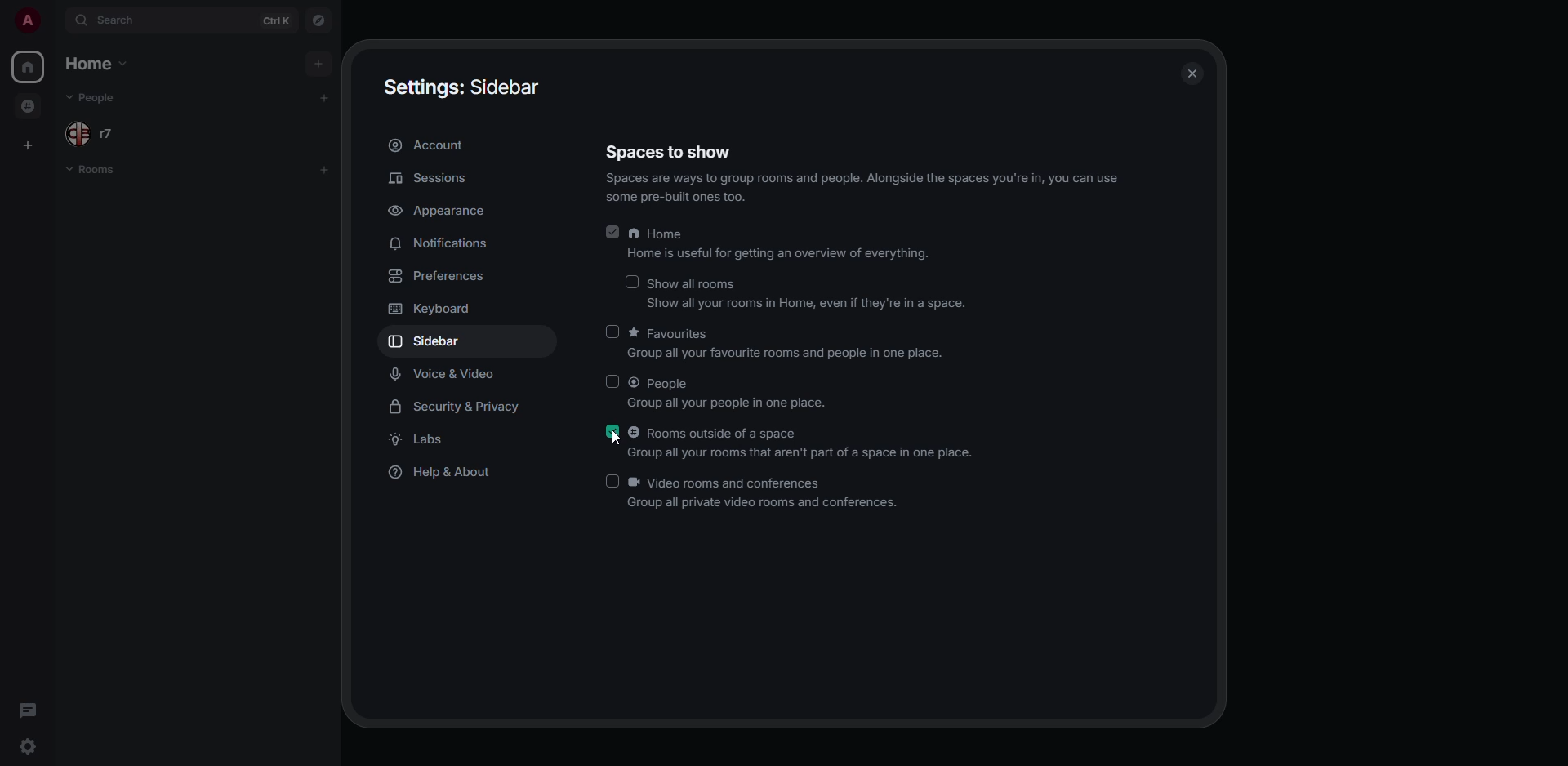  What do you see at coordinates (316, 62) in the screenshot?
I see `add` at bounding box center [316, 62].